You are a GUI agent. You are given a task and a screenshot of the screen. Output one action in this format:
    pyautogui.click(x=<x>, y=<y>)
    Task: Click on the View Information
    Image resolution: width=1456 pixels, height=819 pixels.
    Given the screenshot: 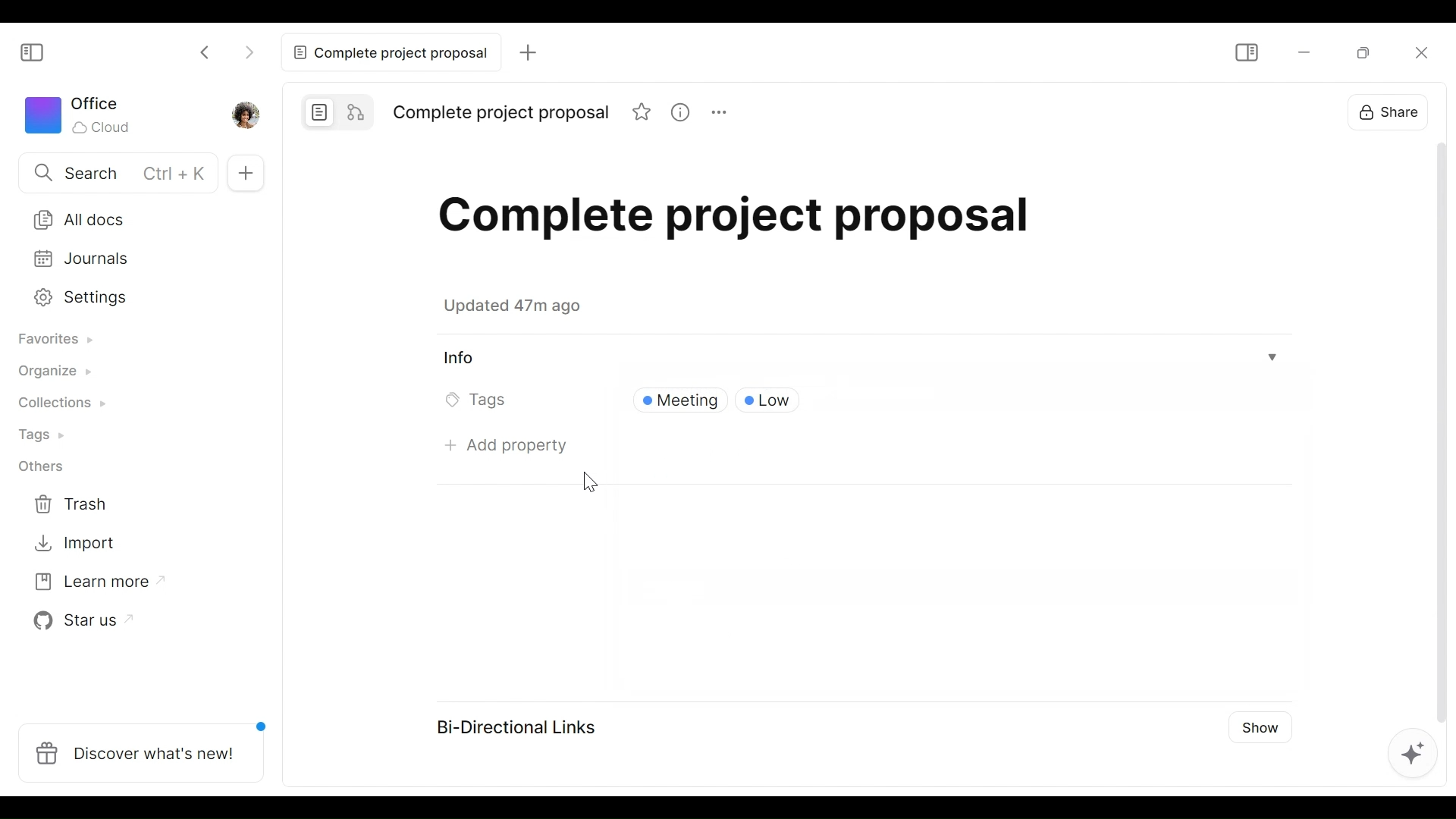 What is the action you would take?
    pyautogui.click(x=679, y=111)
    